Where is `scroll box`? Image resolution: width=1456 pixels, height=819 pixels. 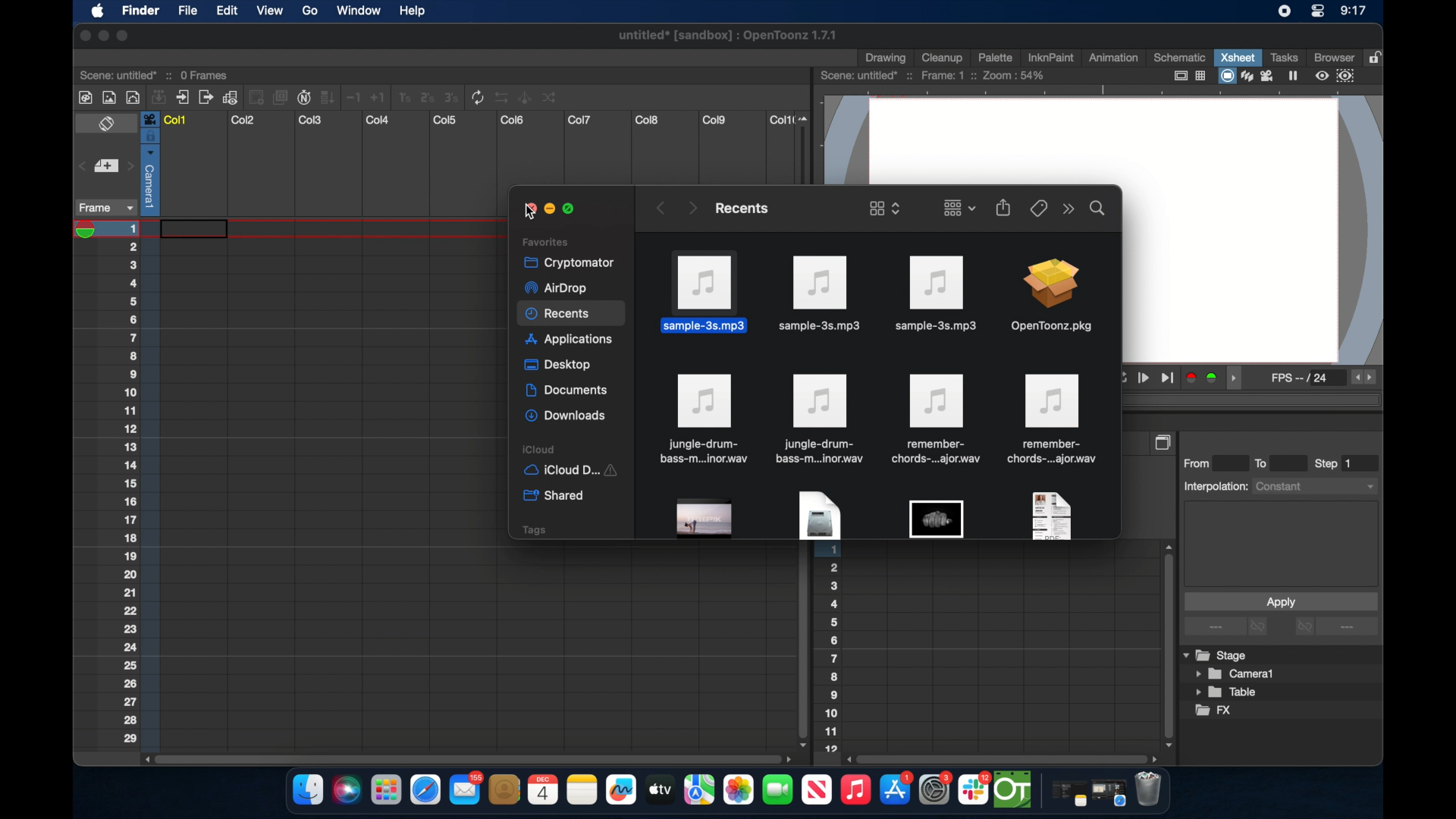
scroll box is located at coordinates (1004, 758).